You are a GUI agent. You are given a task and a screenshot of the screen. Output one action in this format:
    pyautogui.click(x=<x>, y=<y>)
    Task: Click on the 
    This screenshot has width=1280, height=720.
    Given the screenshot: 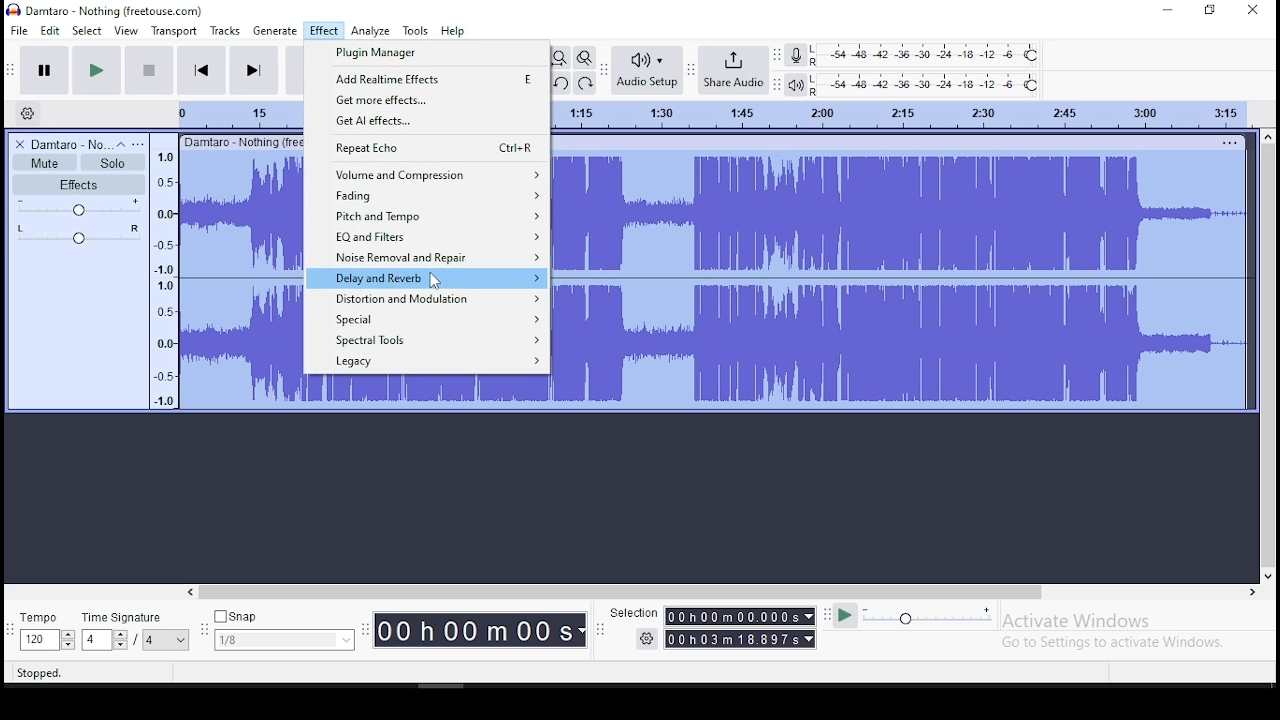 What is the action you would take?
    pyautogui.click(x=10, y=69)
    